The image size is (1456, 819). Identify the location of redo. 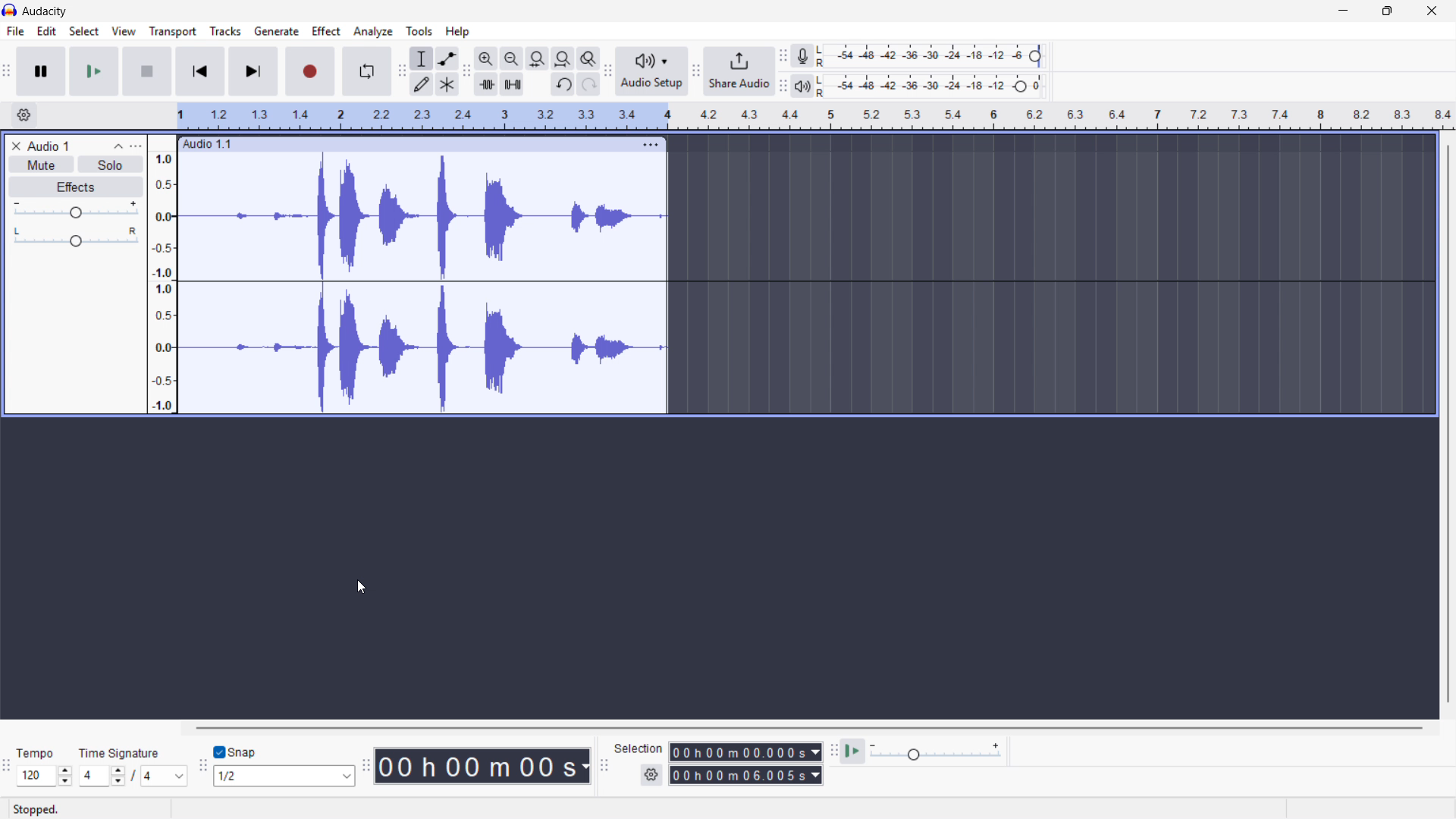
(588, 85).